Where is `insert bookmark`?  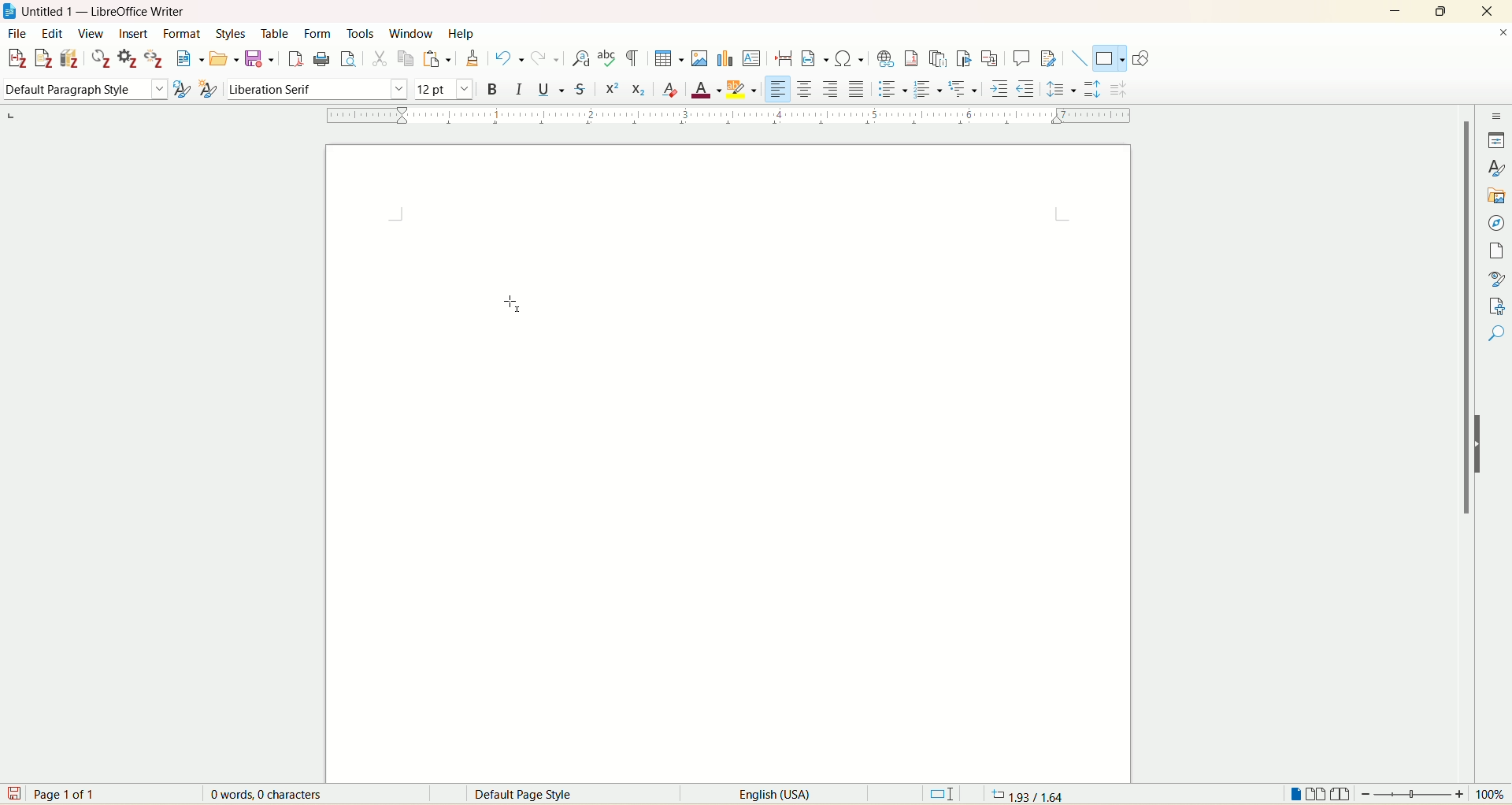 insert bookmark is located at coordinates (966, 59).